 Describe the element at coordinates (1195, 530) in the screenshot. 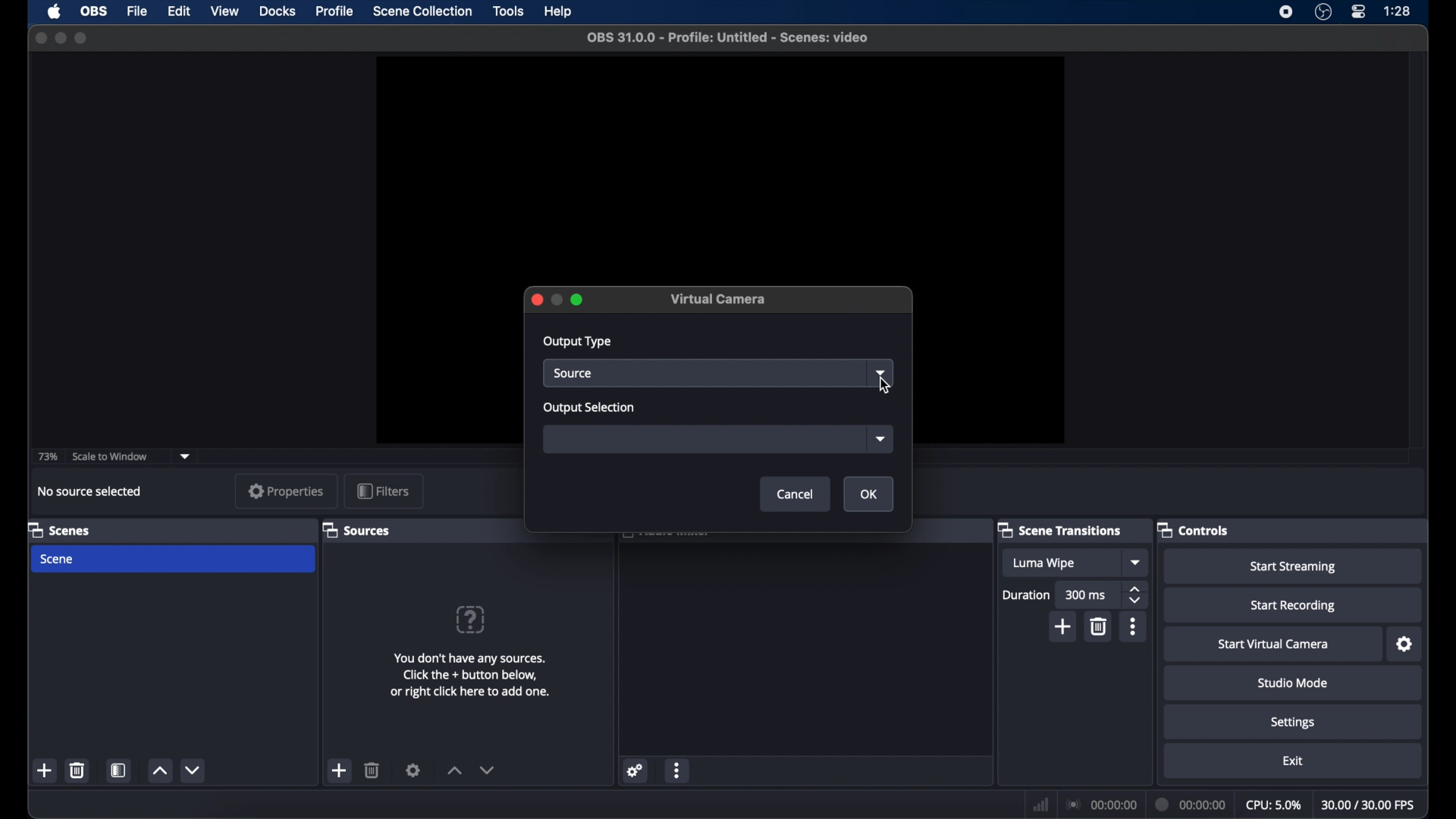

I see `controls` at that location.